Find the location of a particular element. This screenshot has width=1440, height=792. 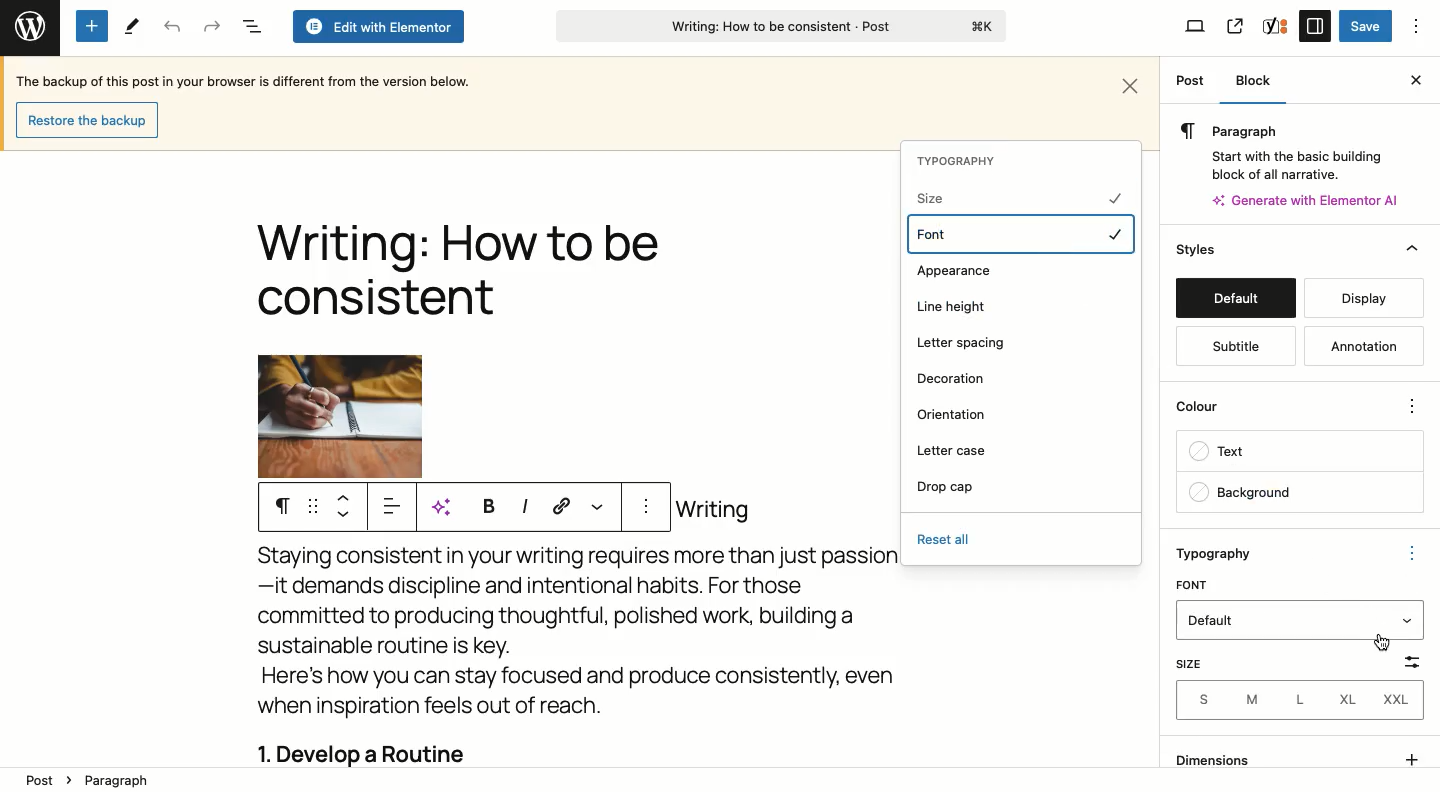

Typography is located at coordinates (1226, 553).